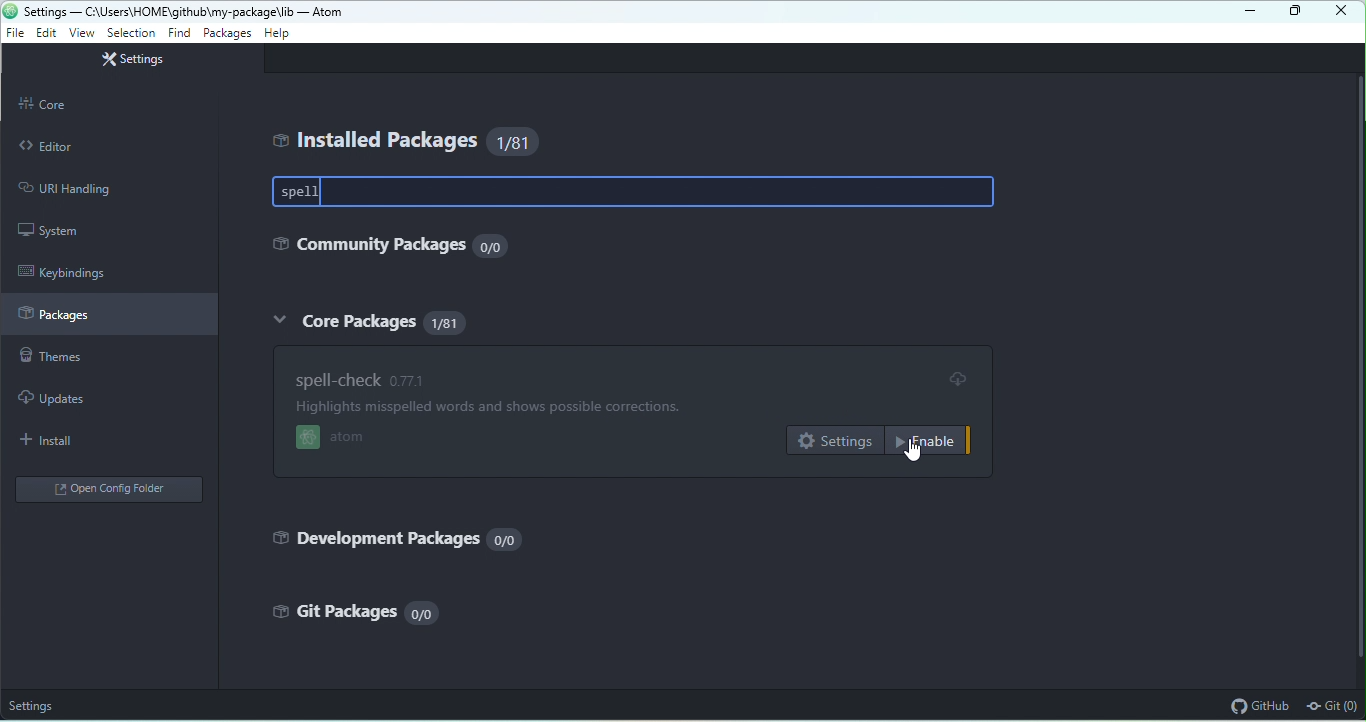 The height and width of the screenshot is (722, 1366). Describe the element at coordinates (1357, 366) in the screenshot. I see `vertical scrollbar` at that location.